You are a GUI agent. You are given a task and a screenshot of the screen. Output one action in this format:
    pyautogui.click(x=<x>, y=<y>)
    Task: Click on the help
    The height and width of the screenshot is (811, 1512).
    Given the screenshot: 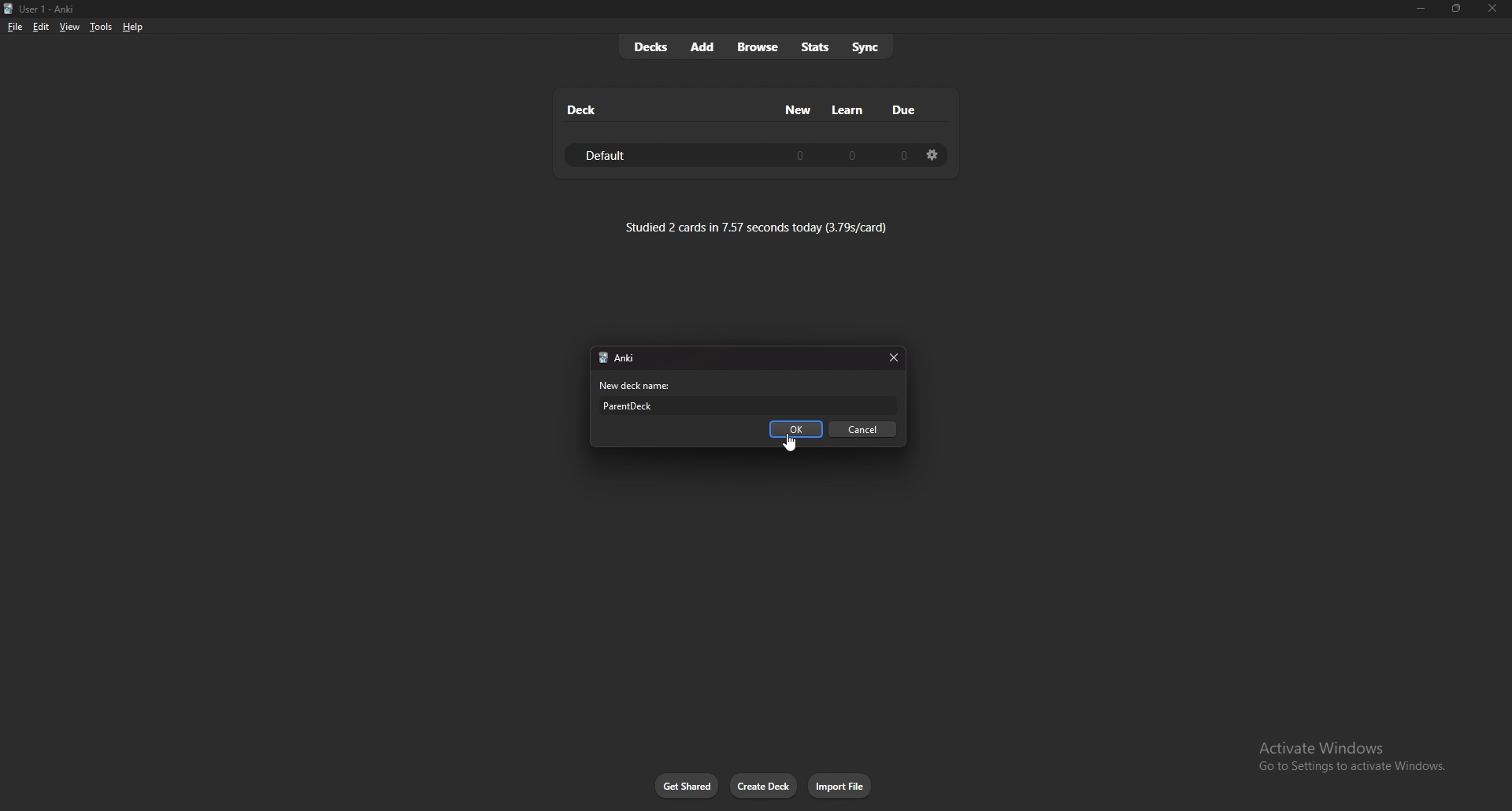 What is the action you would take?
    pyautogui.click(x=132, y=28)
    